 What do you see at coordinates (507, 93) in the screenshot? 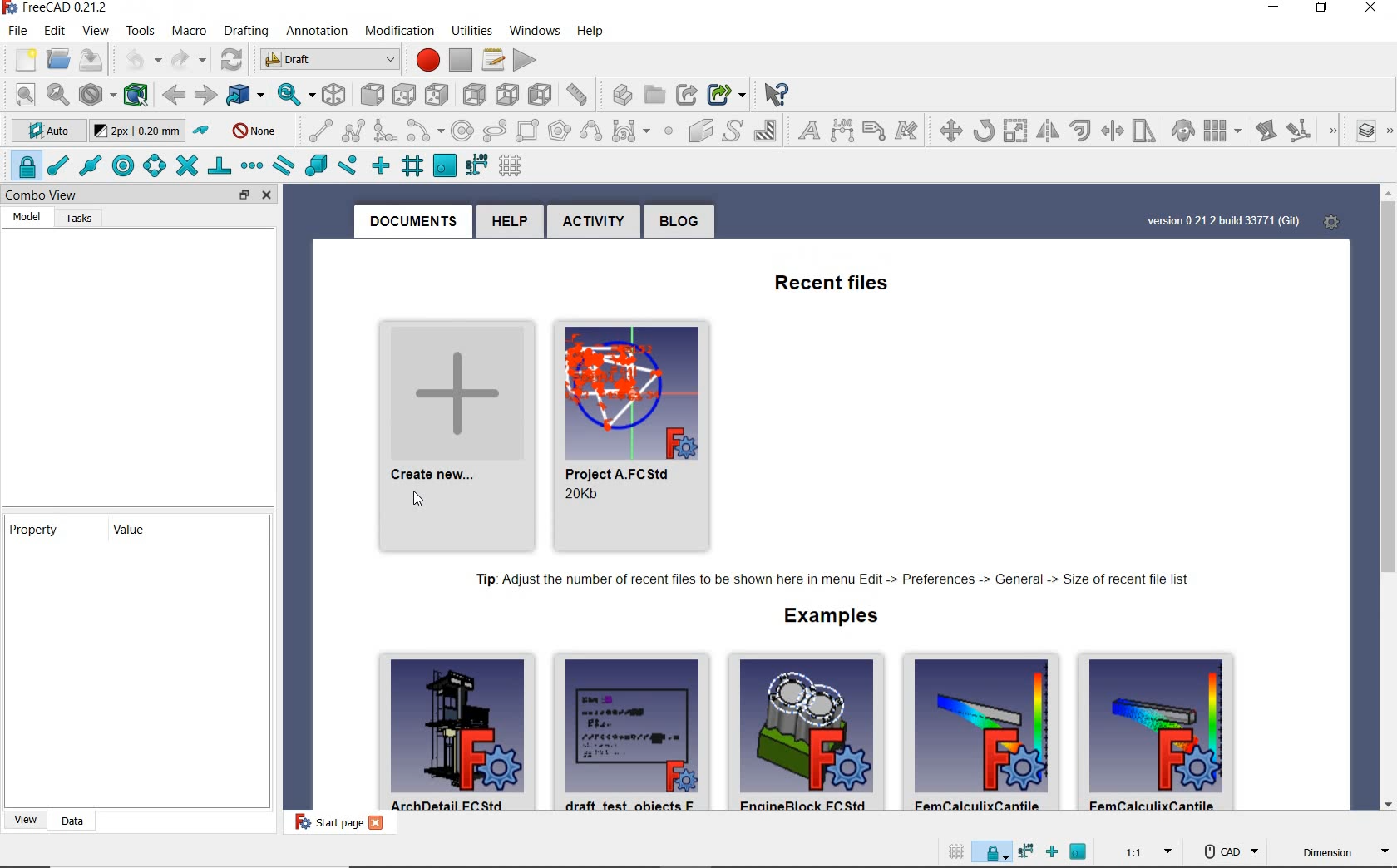
I see `left` at bounding box center [507, 93].